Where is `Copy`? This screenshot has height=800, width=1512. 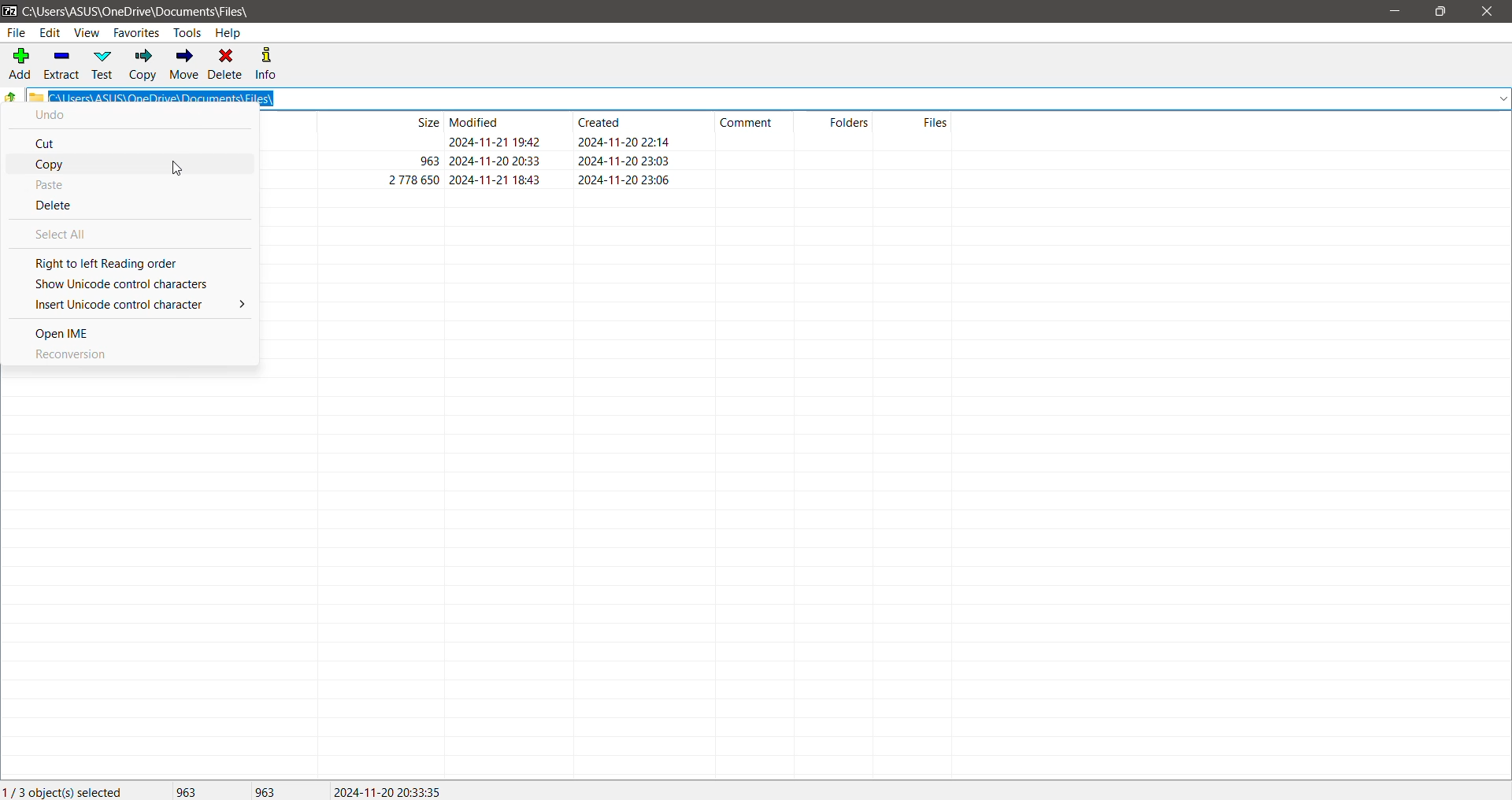
Copy is located at coordinates (63, 164).